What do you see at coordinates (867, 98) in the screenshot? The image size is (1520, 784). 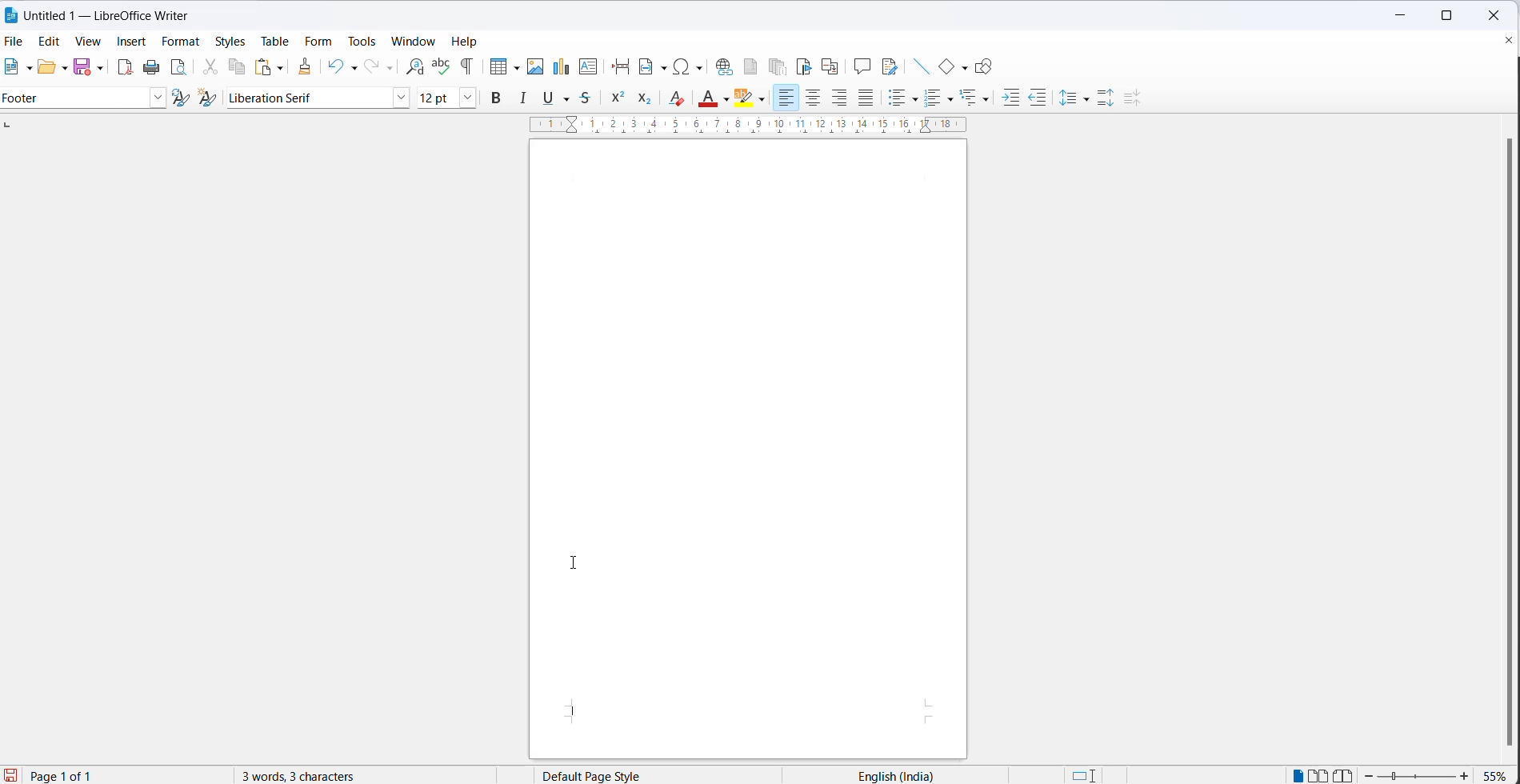 I see `justified` at bounding box center [867, 98].